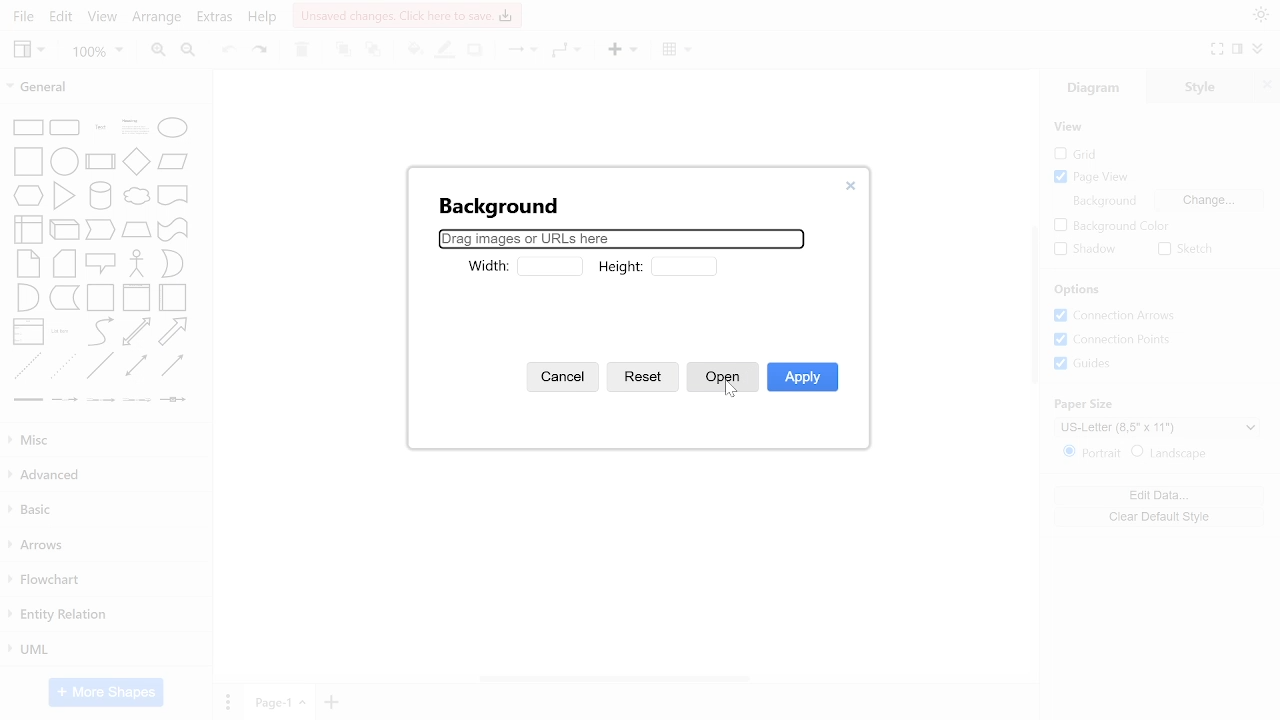 The width and height of the screenshot is (1280, 720). Describe the element at coordinates (485, 267) in the screenshot. I see `Width` at that location.